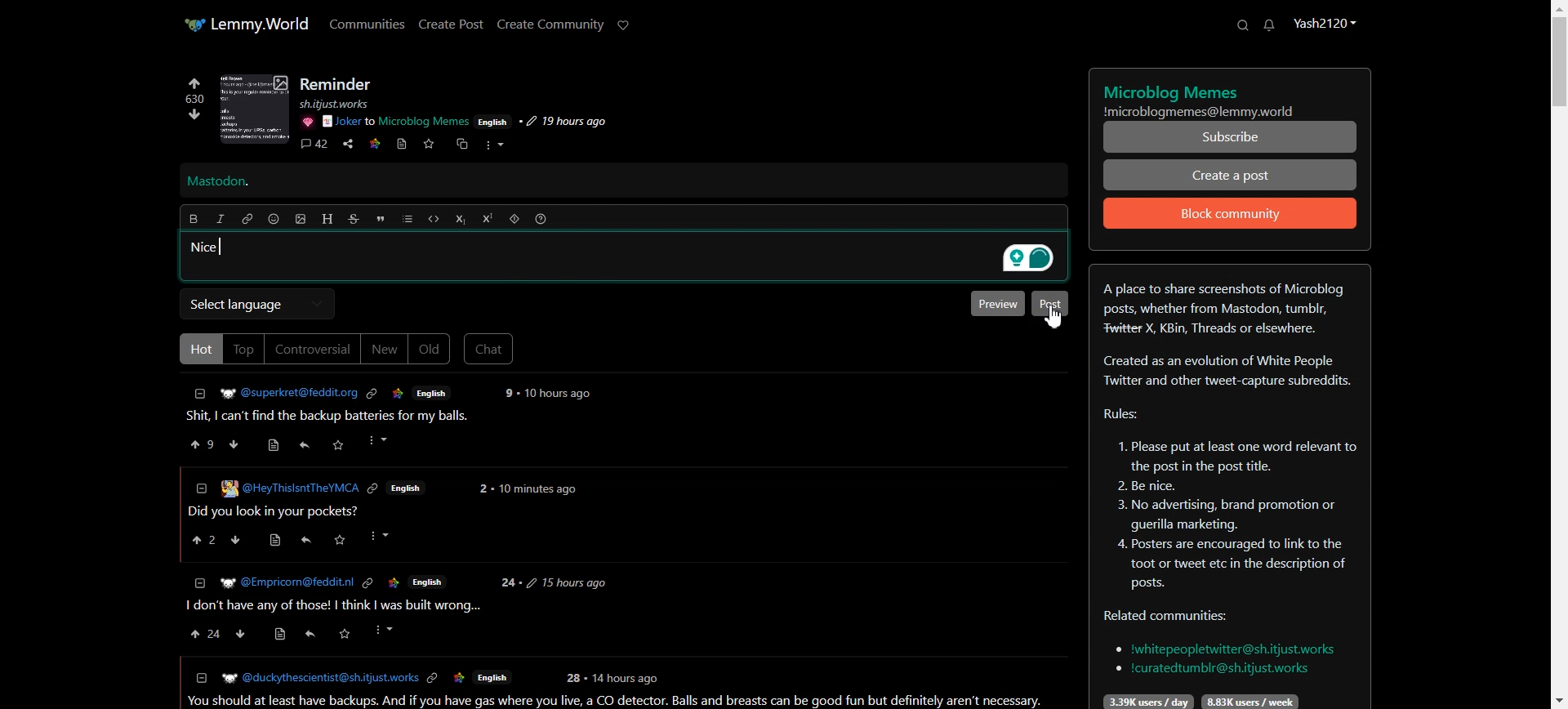 The image size is (1568, 709). Describe the element at coordinates (274, 219) in the screenshot. I see `Emoji` at that location.